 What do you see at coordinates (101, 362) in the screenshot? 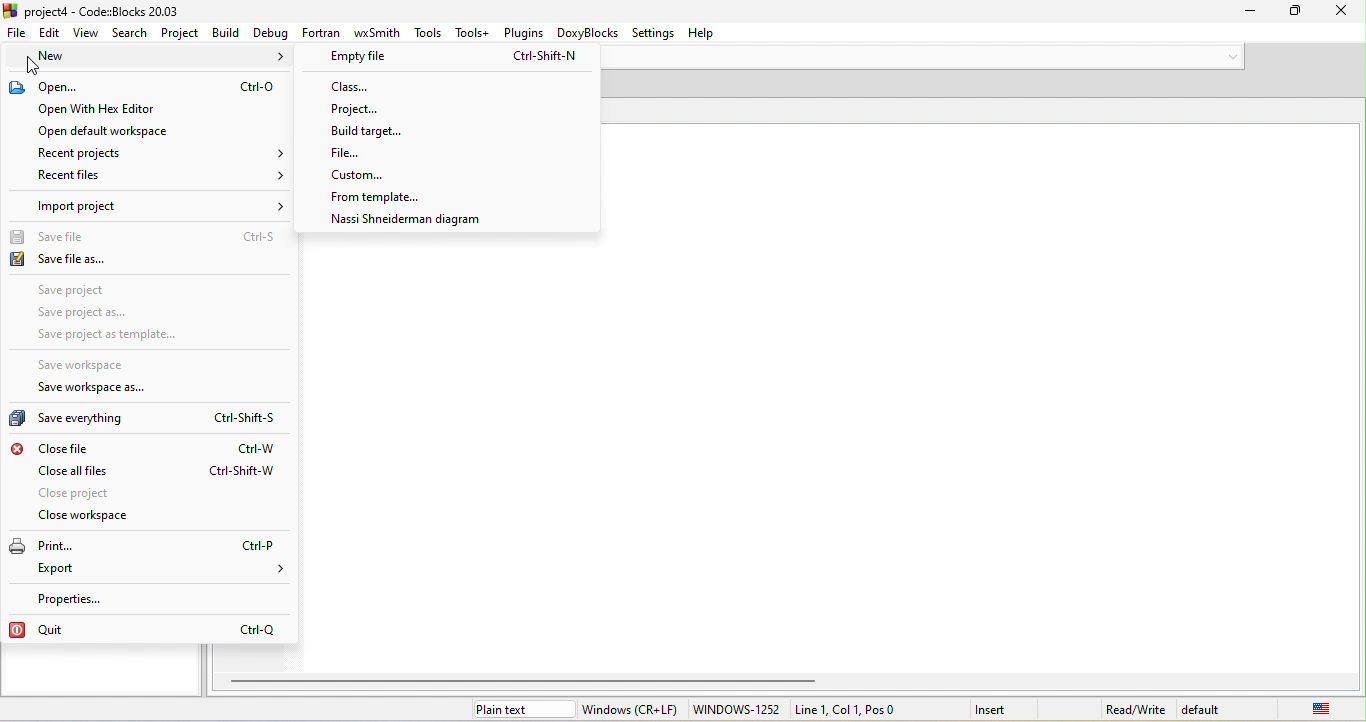
I see `save workspace` at bounding box center [101, 362].